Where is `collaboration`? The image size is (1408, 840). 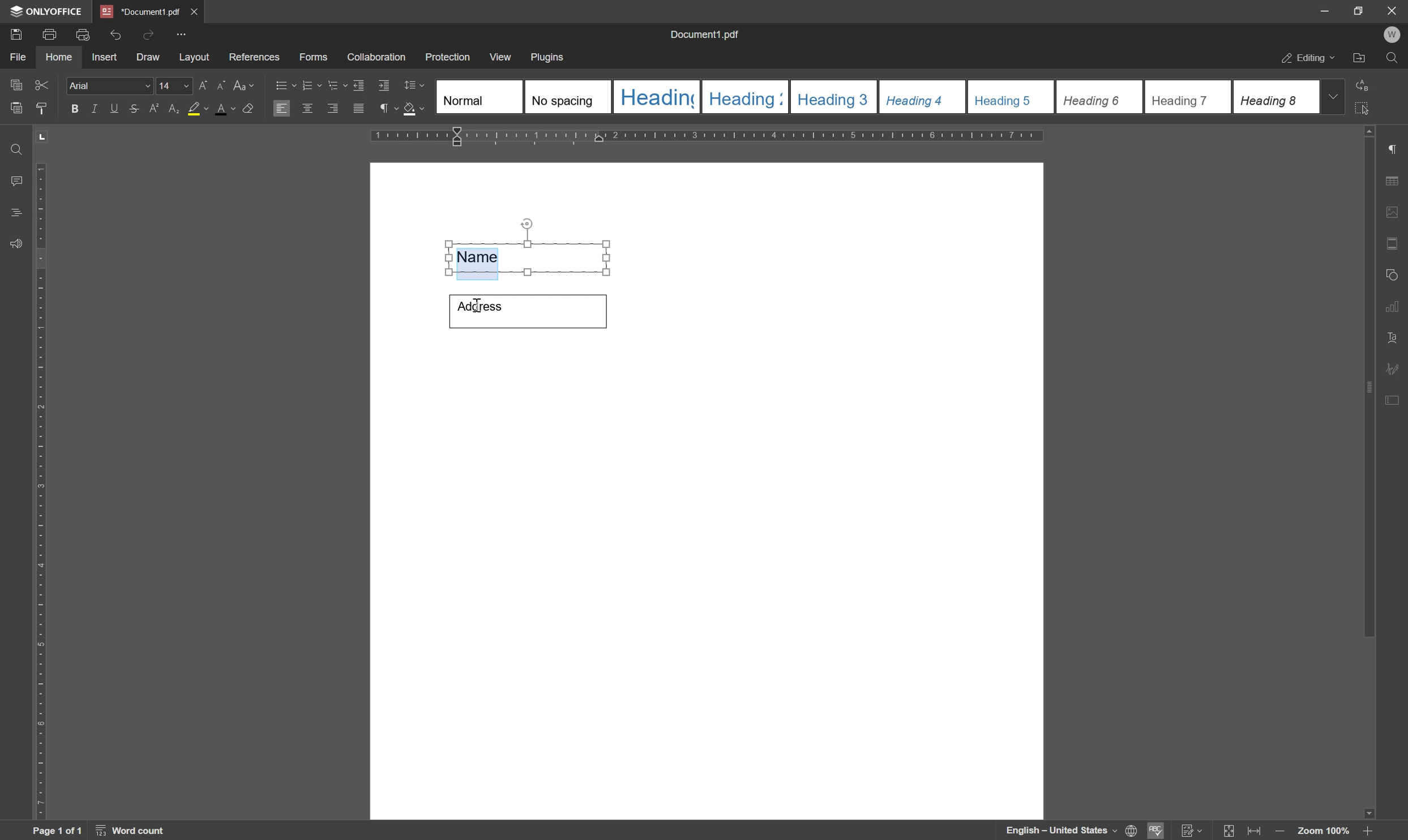 collaboration is located at coordinates (378, 58).